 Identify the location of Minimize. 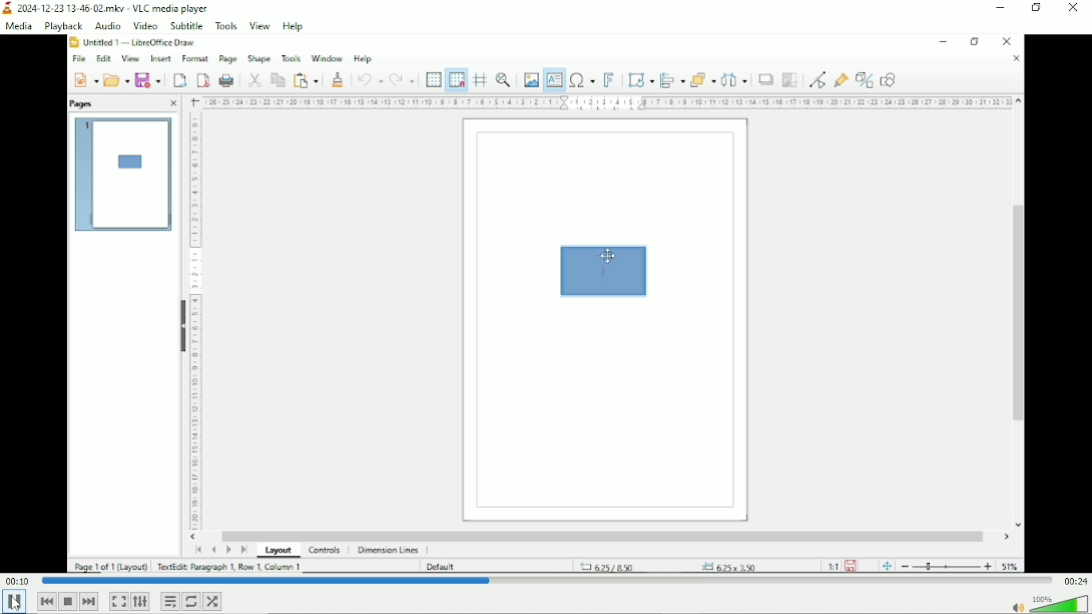
(999, 8).